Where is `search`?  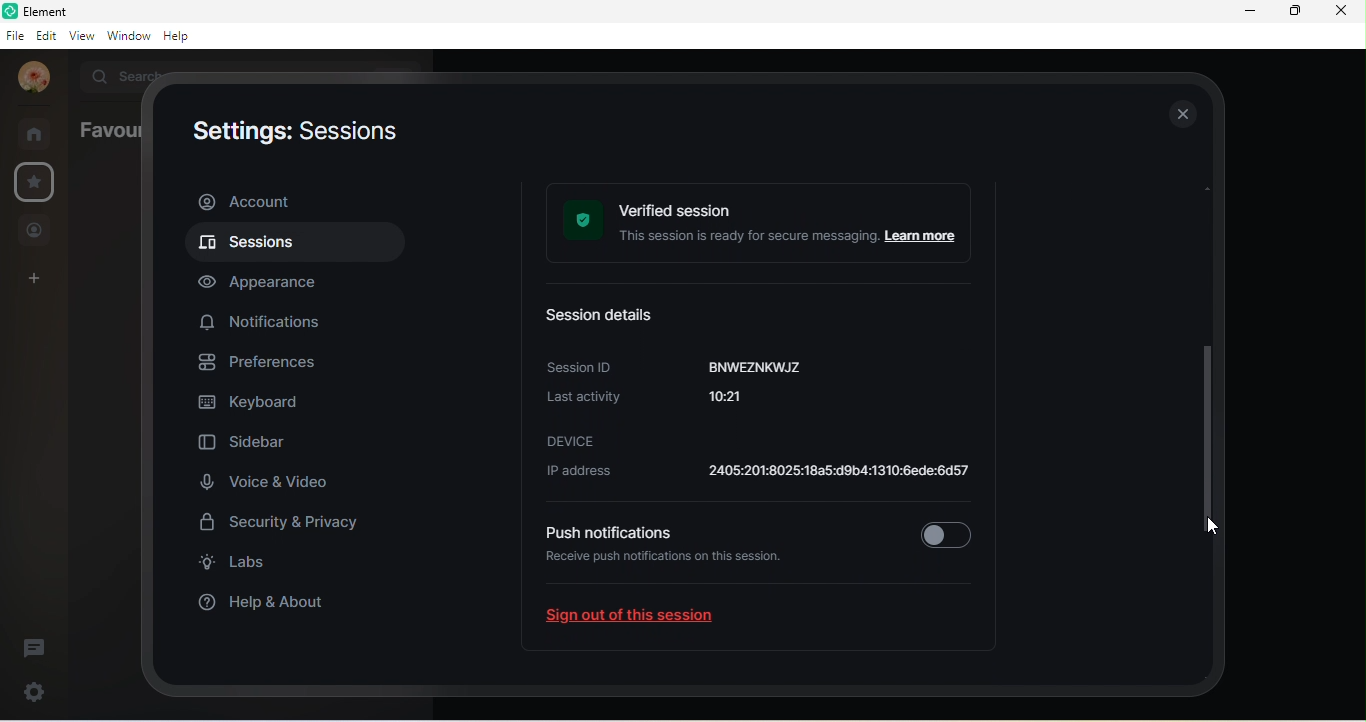
search is located at coordinates (119, 74).